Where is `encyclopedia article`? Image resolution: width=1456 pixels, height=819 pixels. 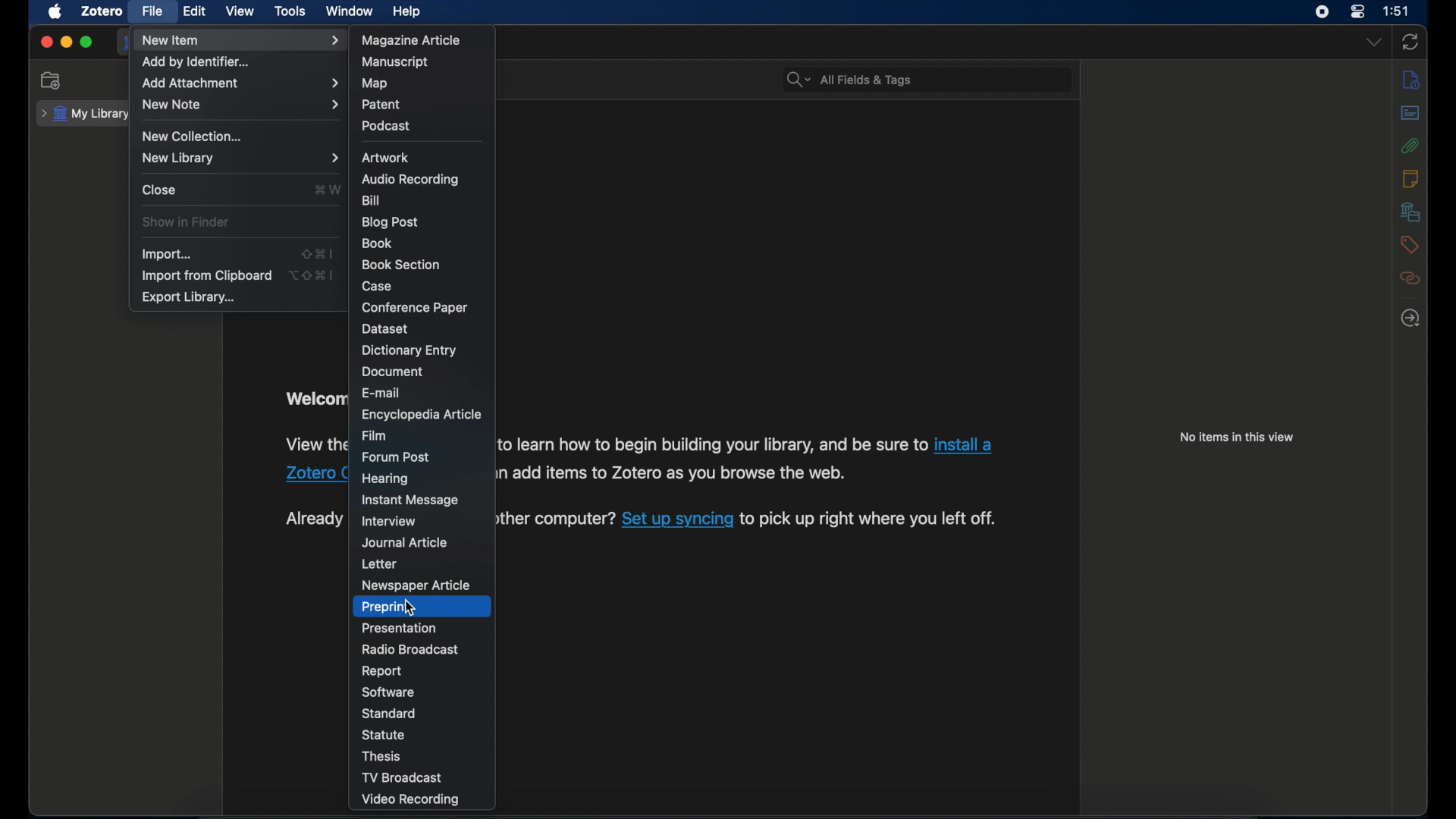 encyclopedia article is located at coordinates (420, 415).